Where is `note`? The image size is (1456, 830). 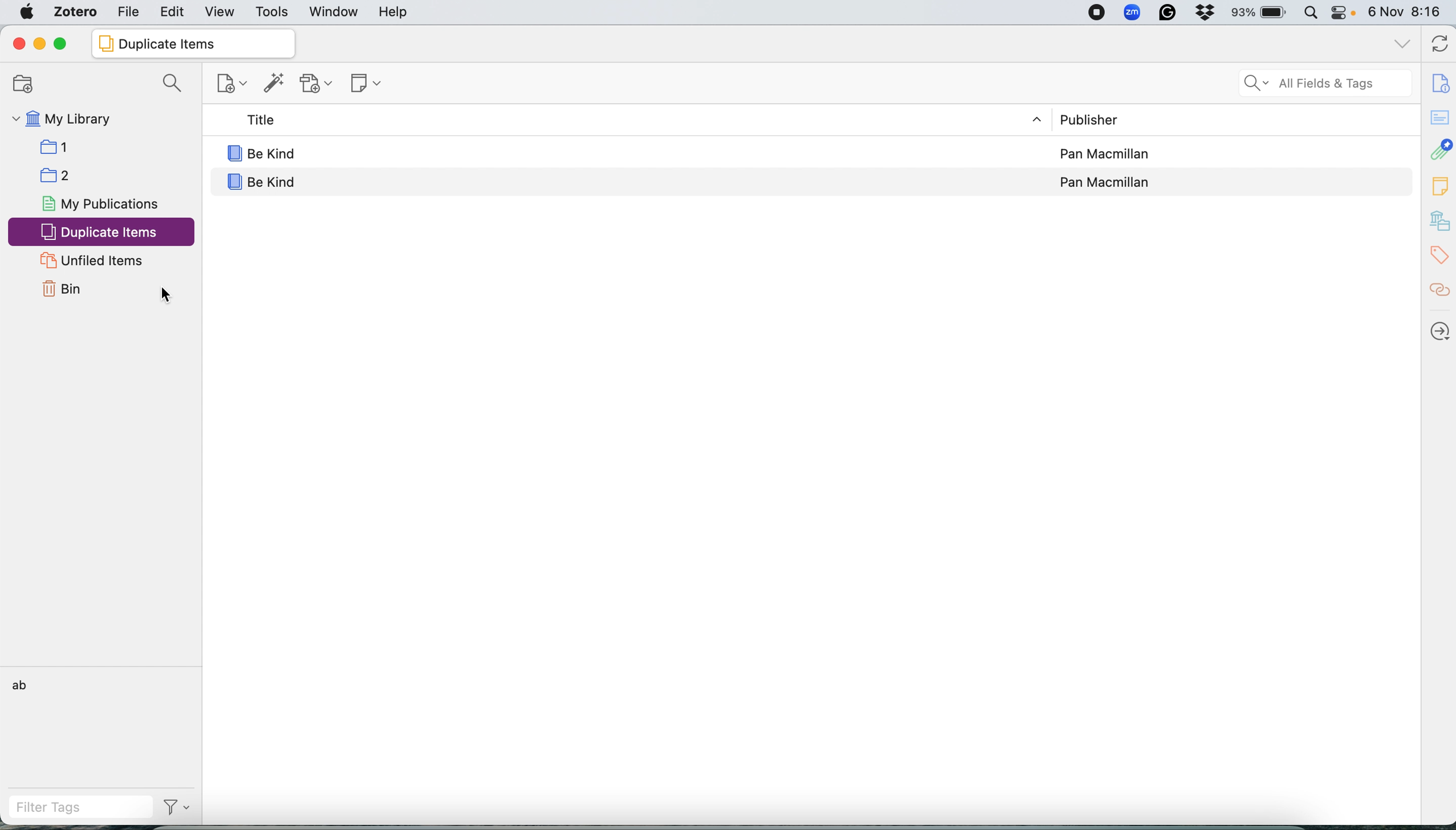
note is located at coordinates (1439, 186).